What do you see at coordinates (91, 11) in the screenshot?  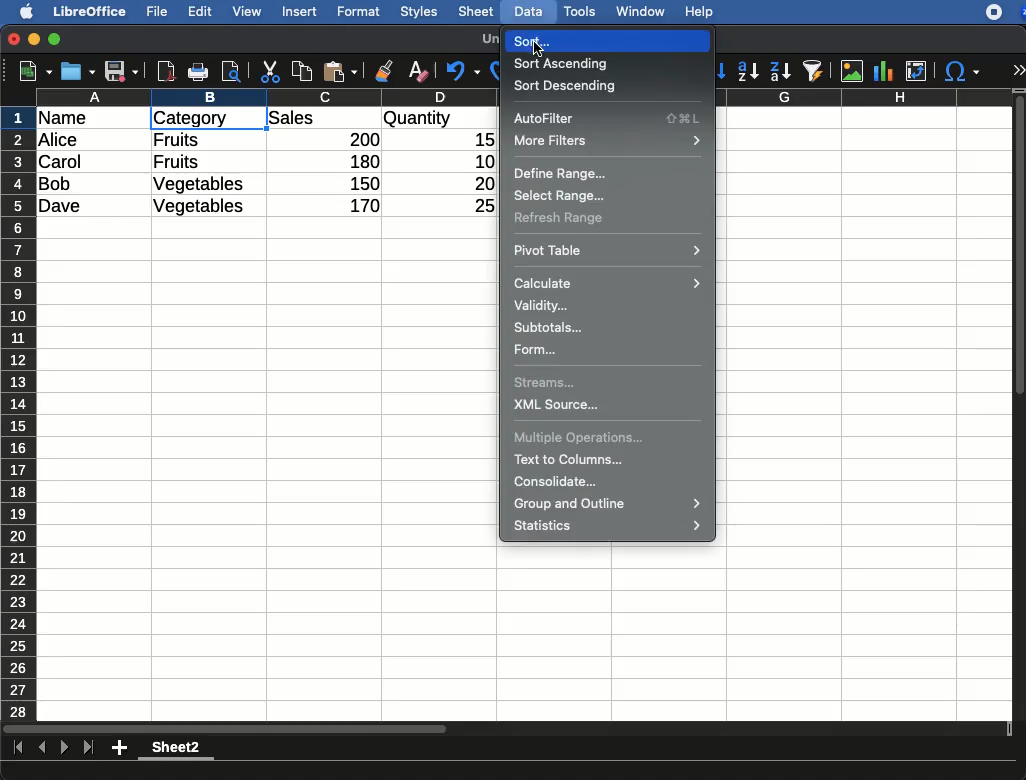 I see `libreoffice` at bounding box center [91, 11].